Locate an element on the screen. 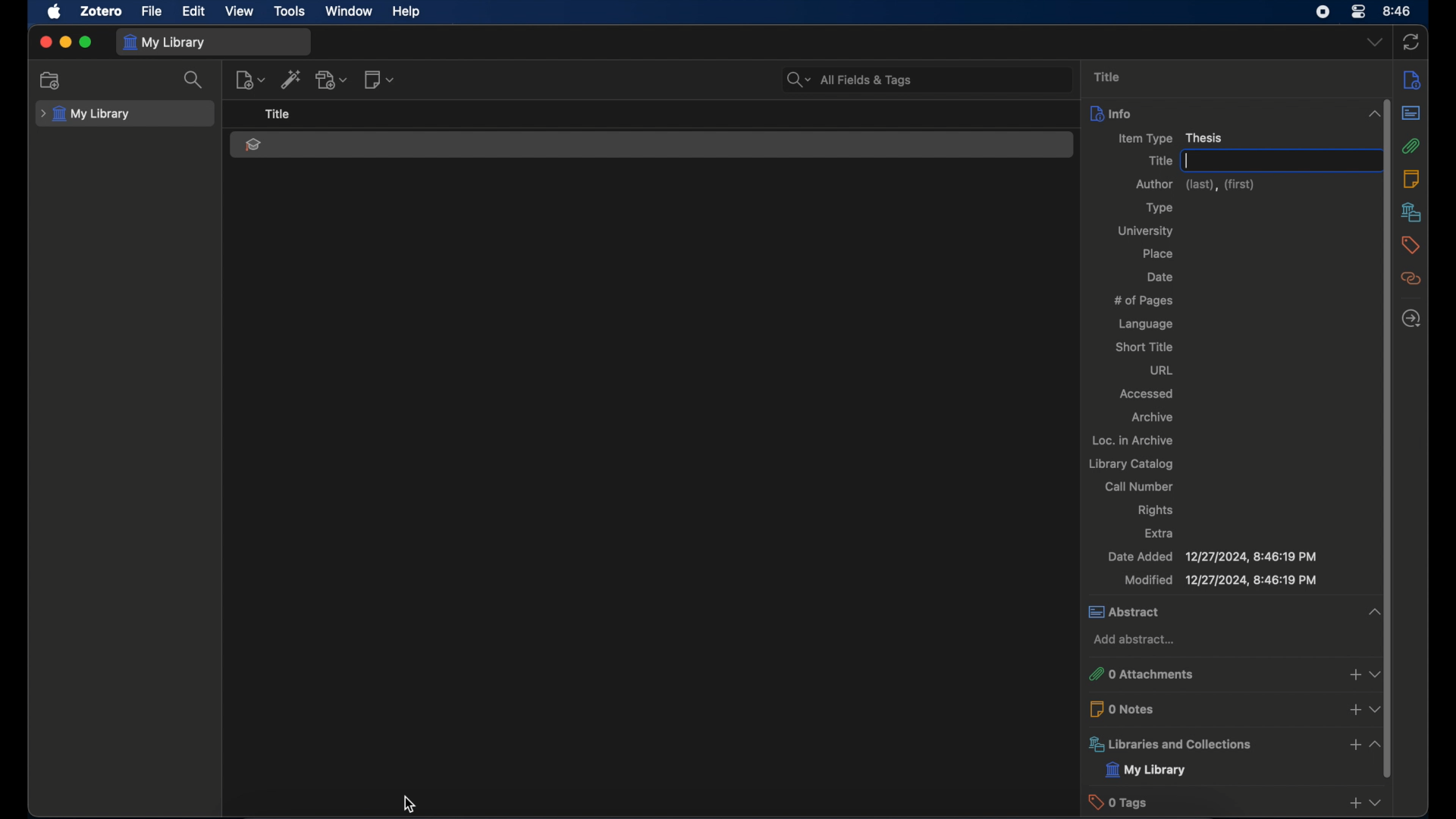 The width and height of the screenshot is (1456, 819). abstract is located at coordinates (1411, 114).